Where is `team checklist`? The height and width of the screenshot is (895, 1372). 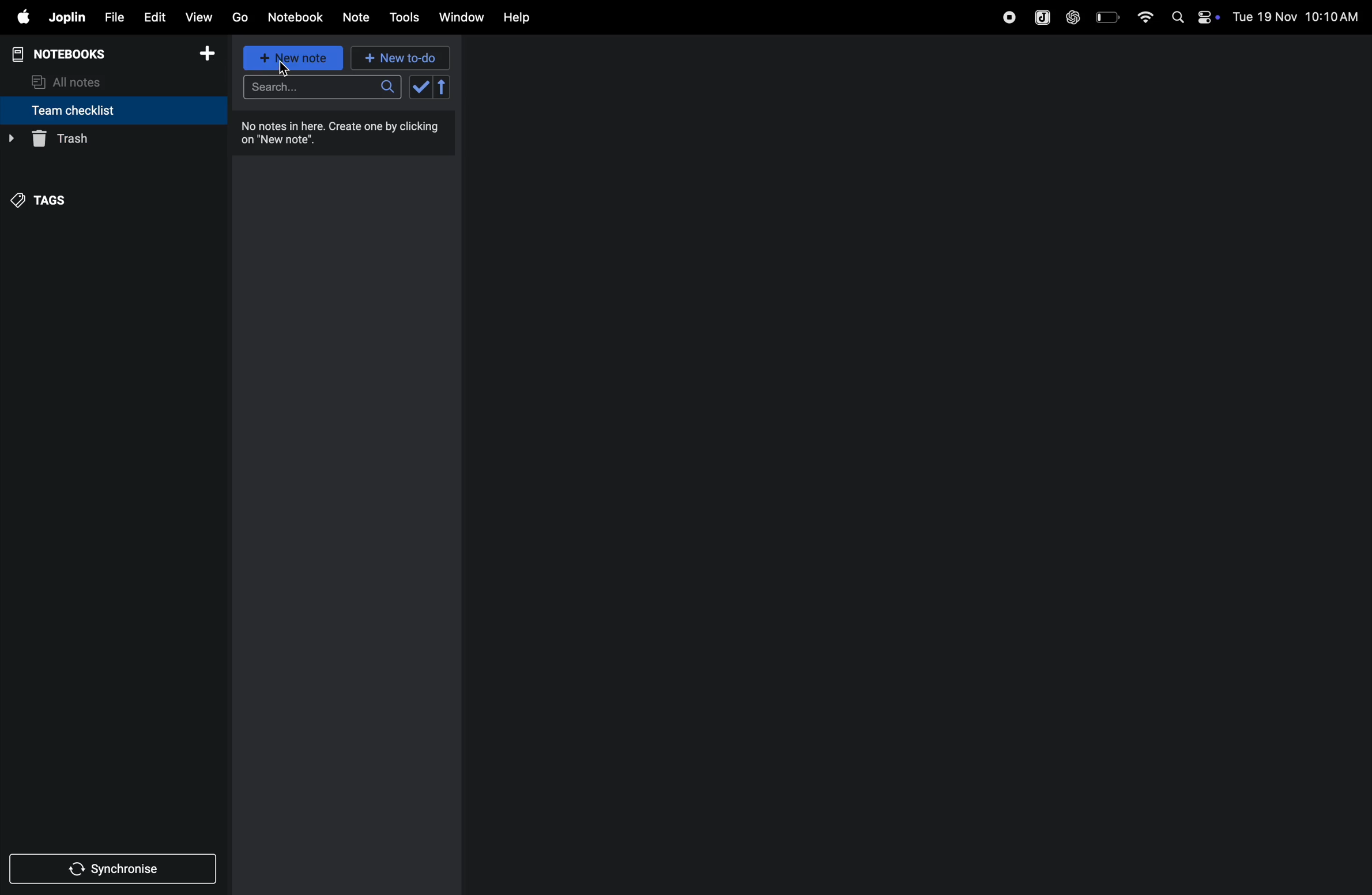
team checklist is located at coordinates (94, 110).